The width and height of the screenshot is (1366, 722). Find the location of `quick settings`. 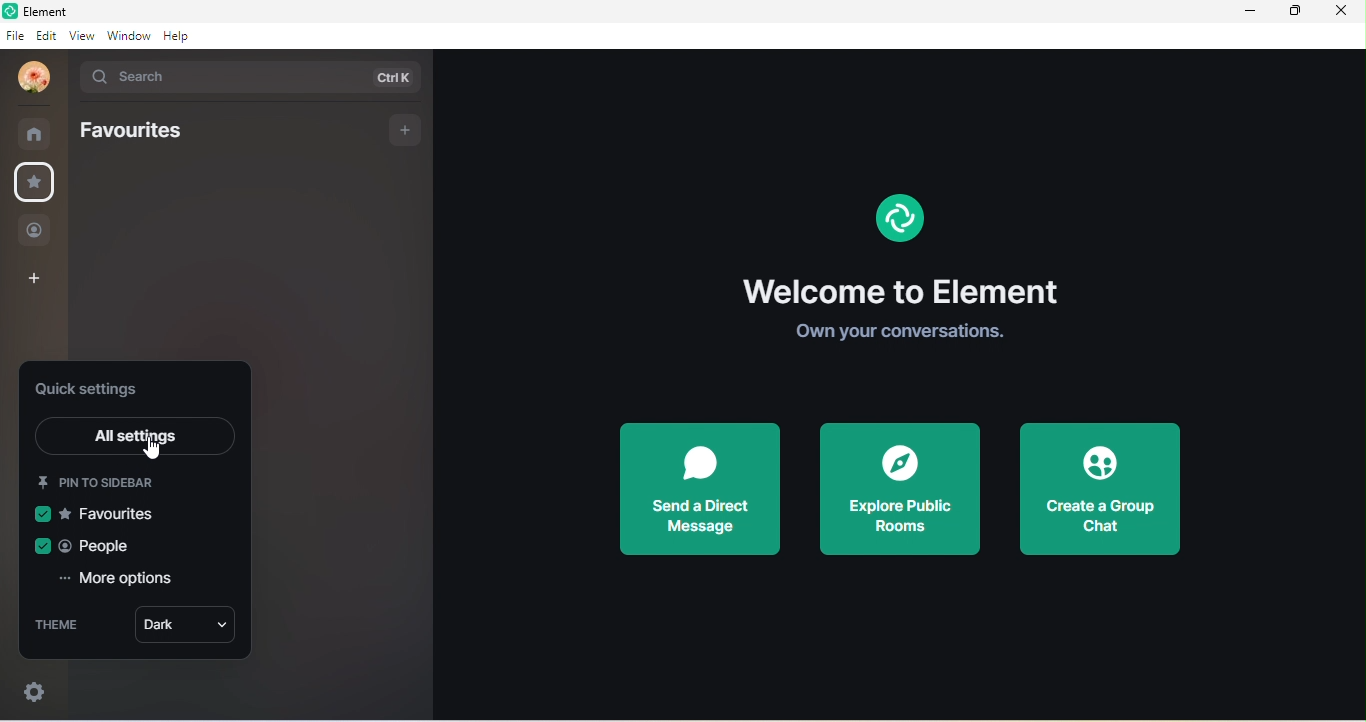

quick settings is located at coordinates (89, 390).